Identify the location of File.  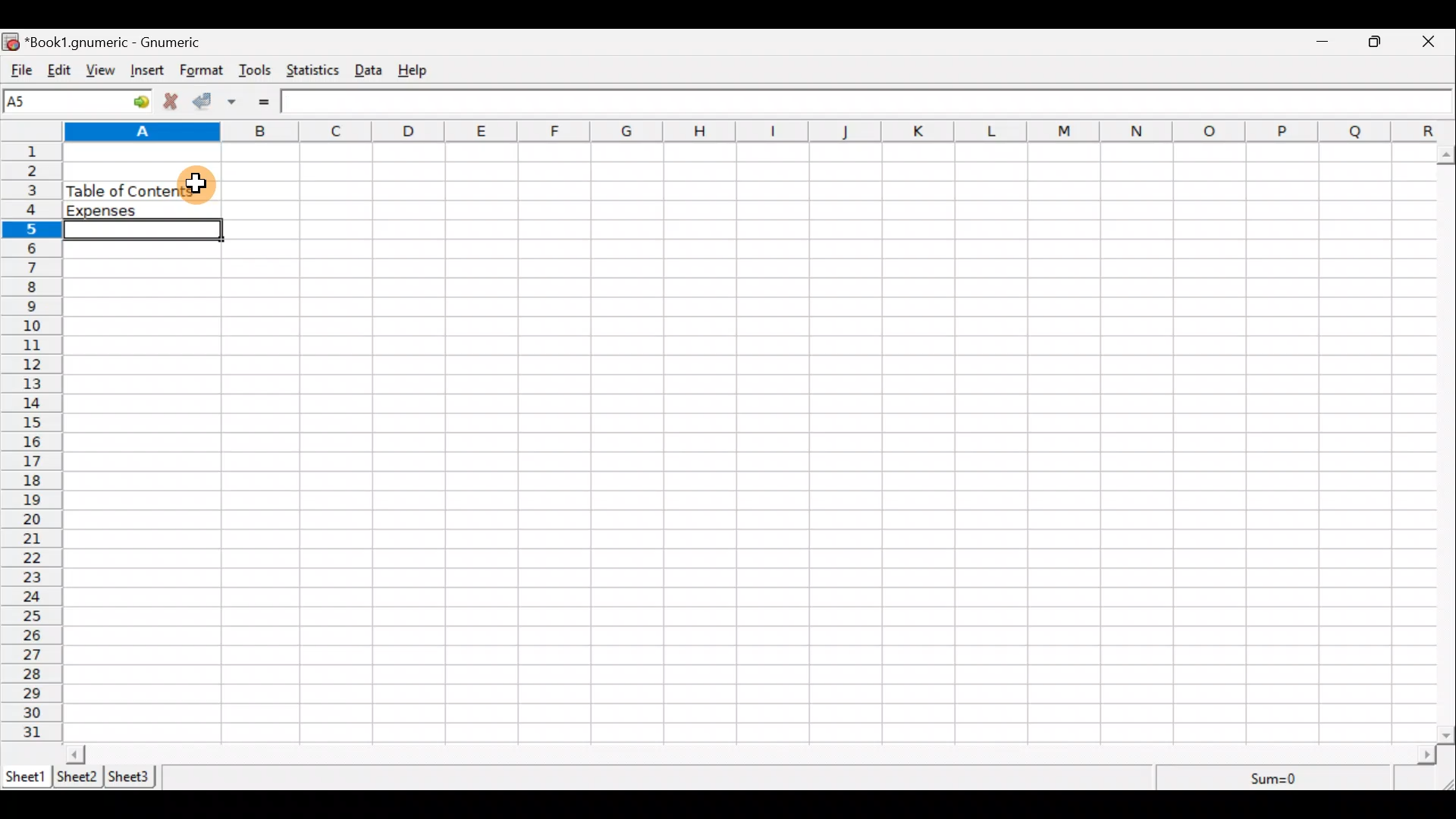
(19, 71).